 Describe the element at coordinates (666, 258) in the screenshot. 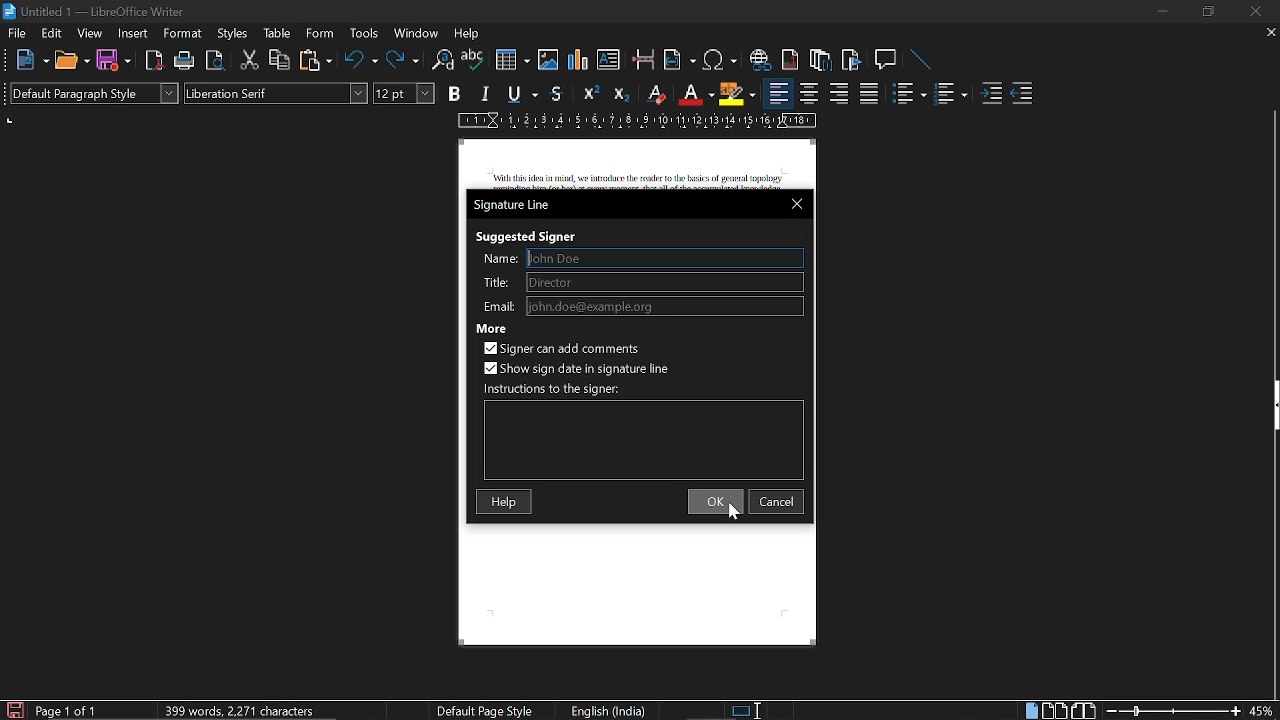

I see `name` at that location.